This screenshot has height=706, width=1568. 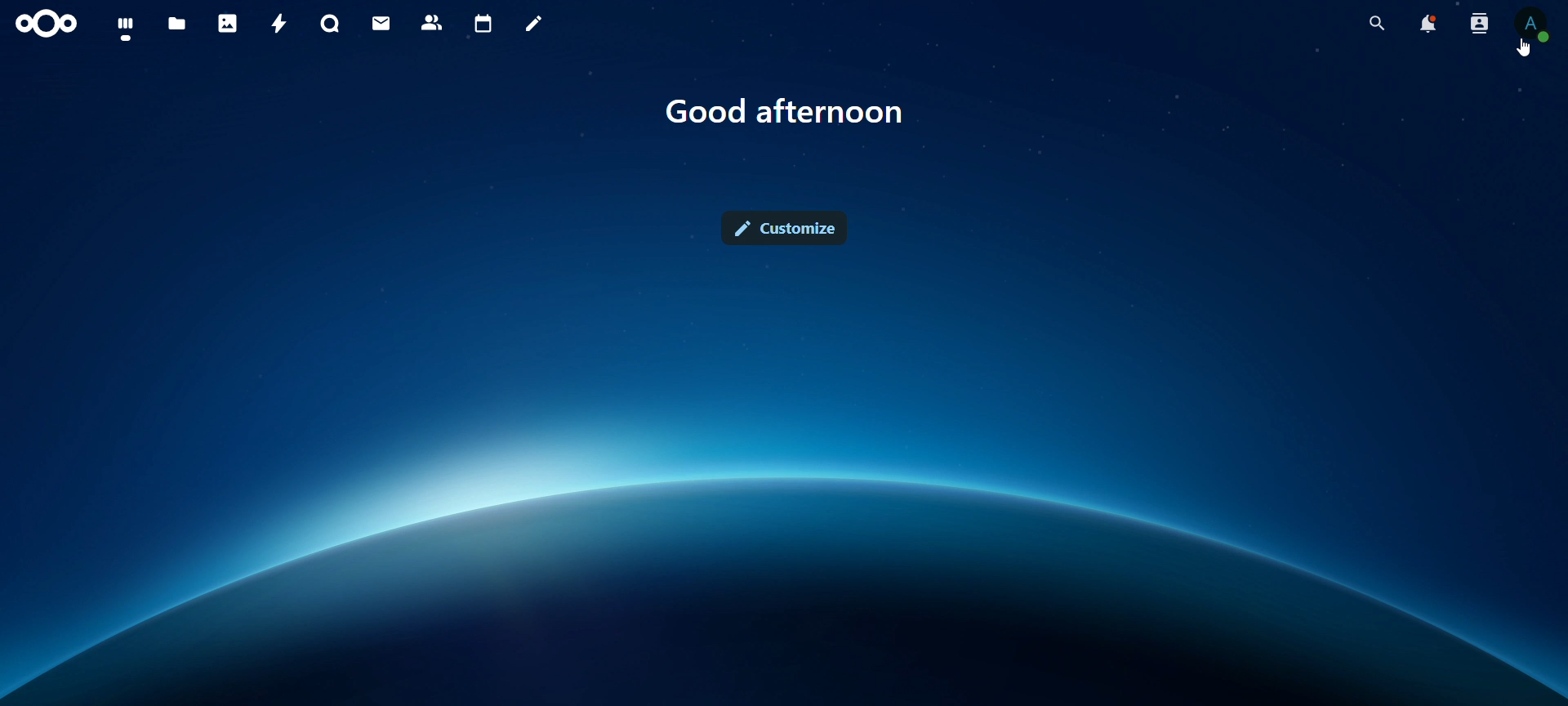 What do you see at coordinates (123, 29) in the screenshot?
I see `dashboard` at bounding box center [123, 29].